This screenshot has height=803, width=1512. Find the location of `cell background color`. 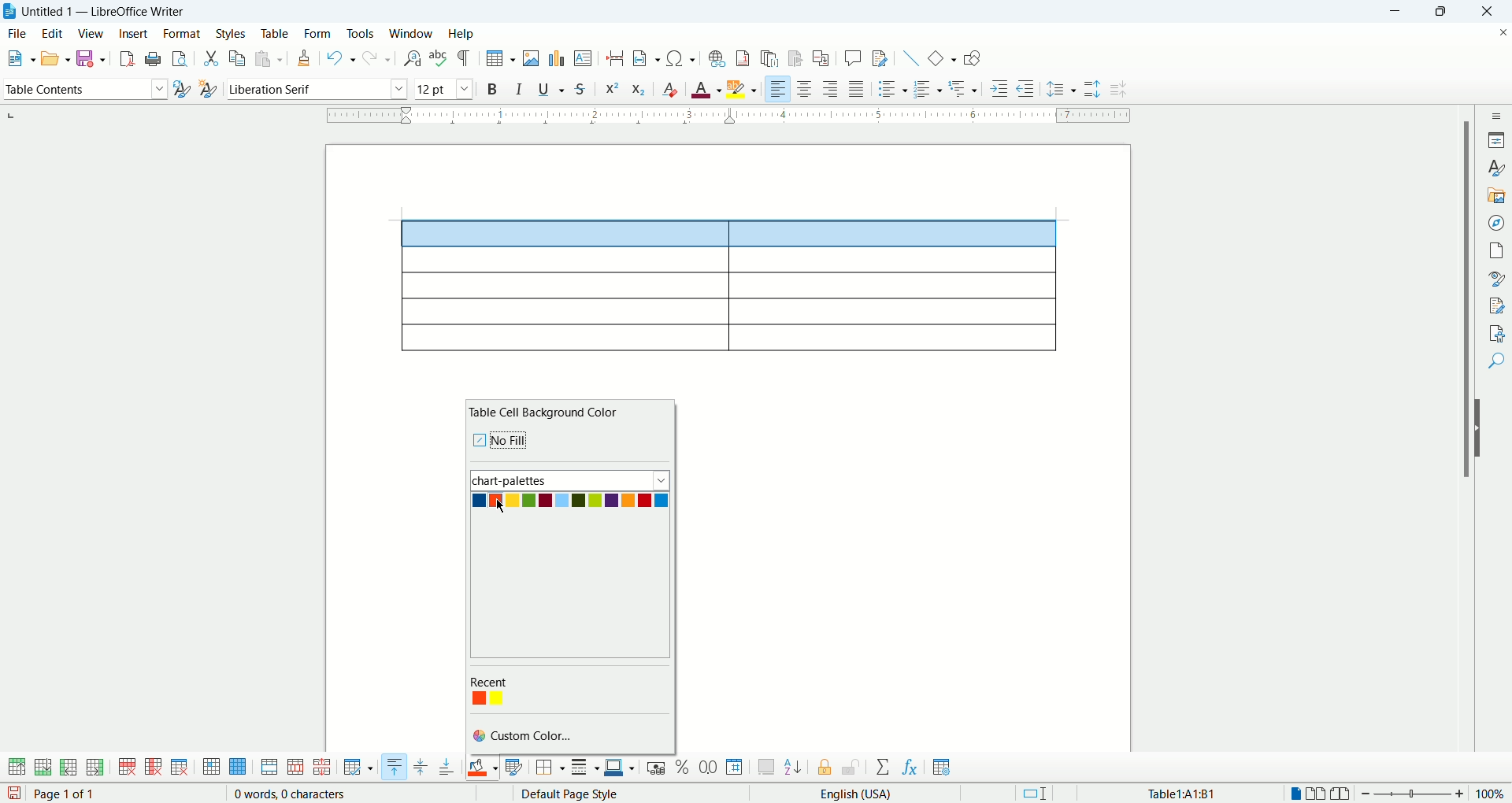

cell background color is located at coordinates (483, 766).